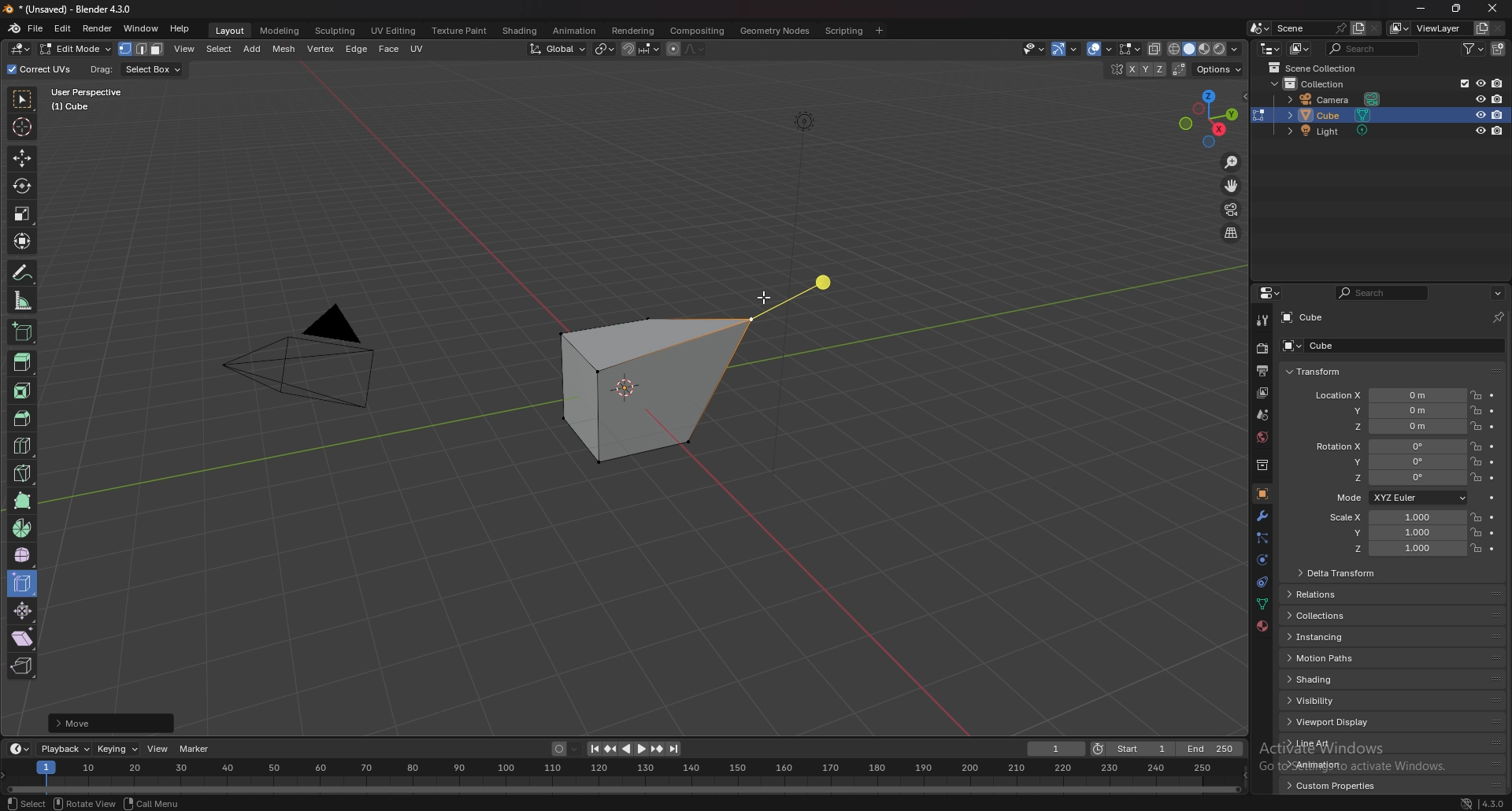 This screenshot has height=811, width=1512. I want to click on rotation x, so click(1388, 447).